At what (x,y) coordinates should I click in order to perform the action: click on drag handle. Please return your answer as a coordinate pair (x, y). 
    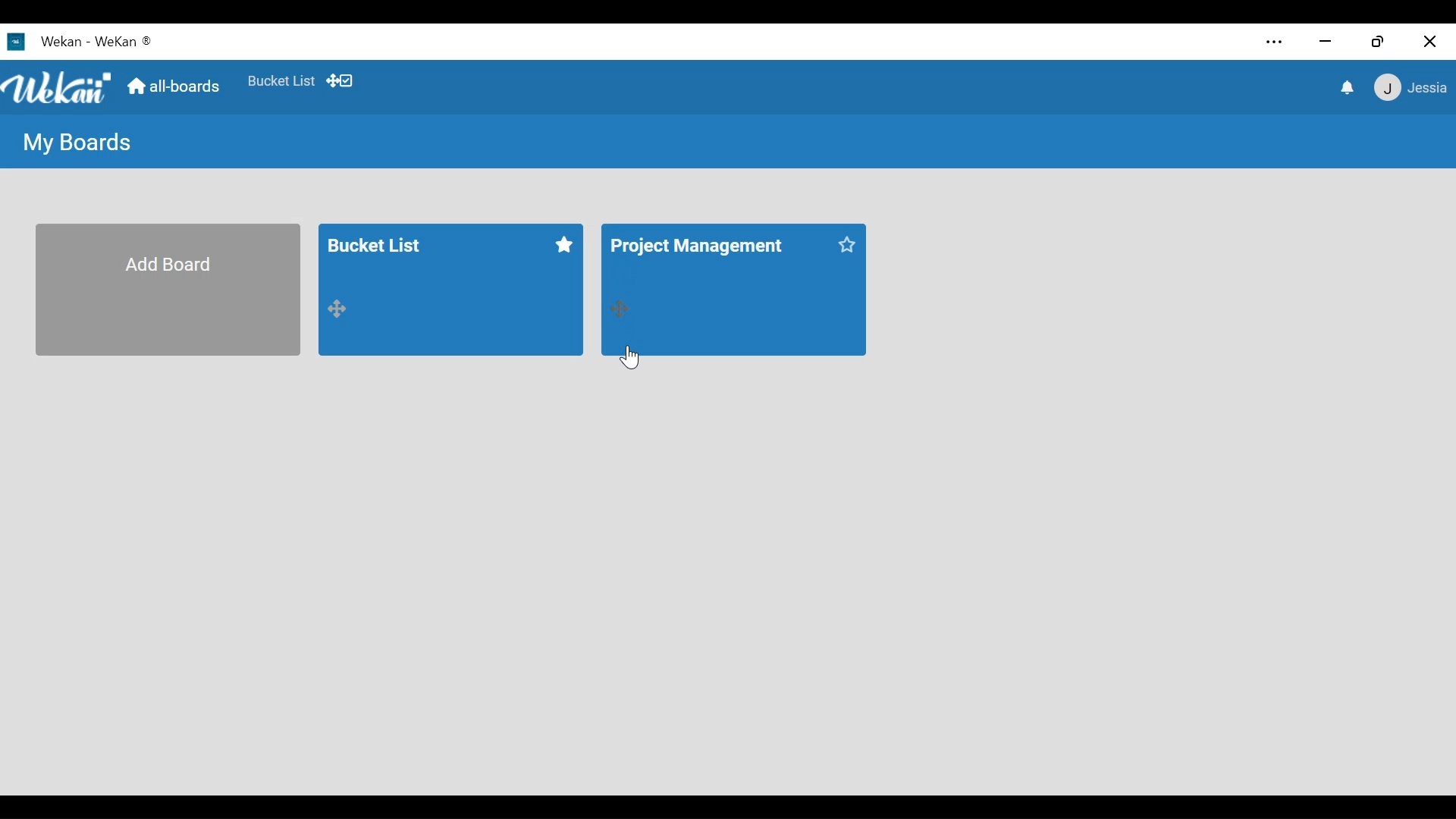
    Looking at the image, I should click on (337, 311).